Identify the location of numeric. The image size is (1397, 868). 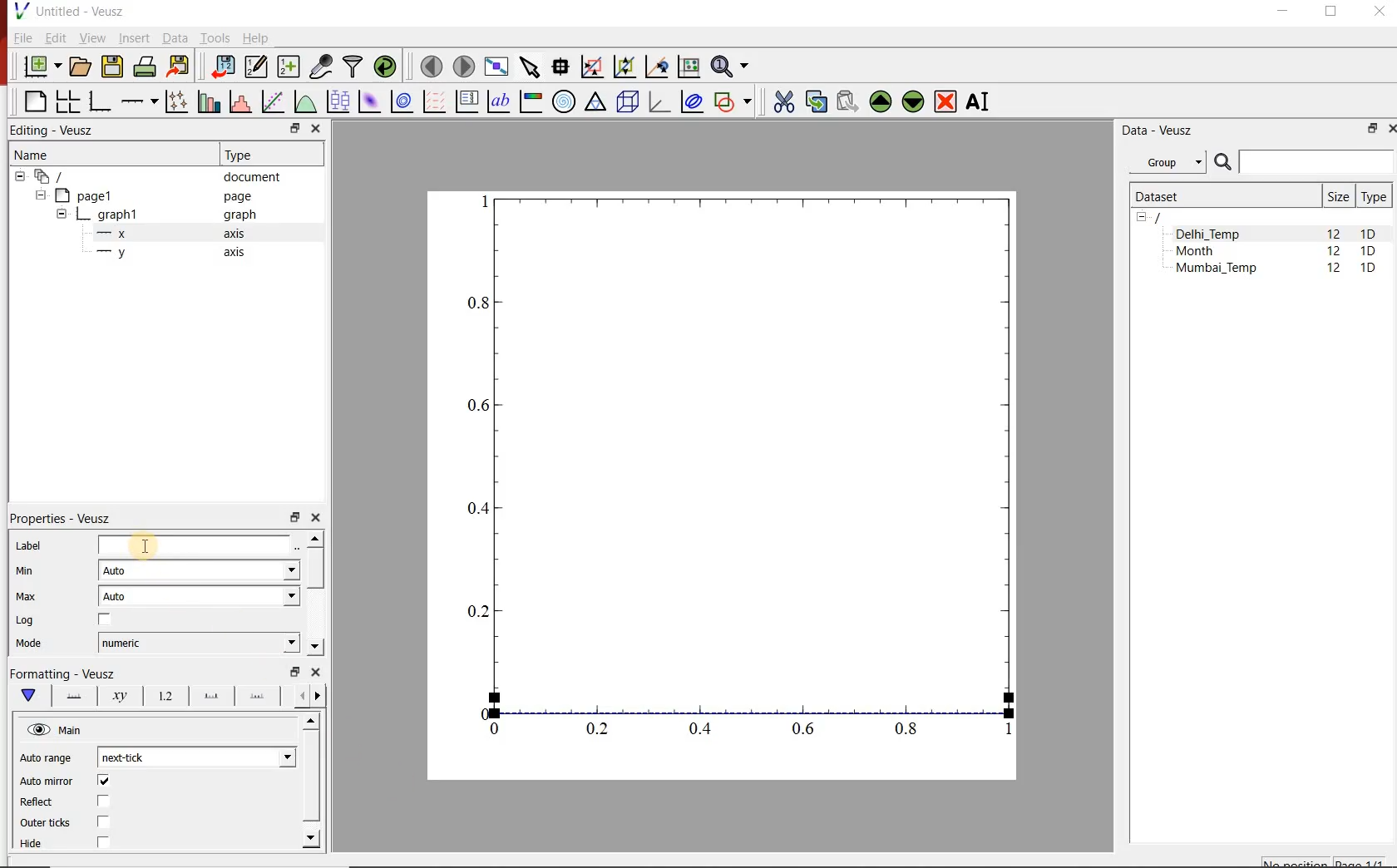
(199, 643).